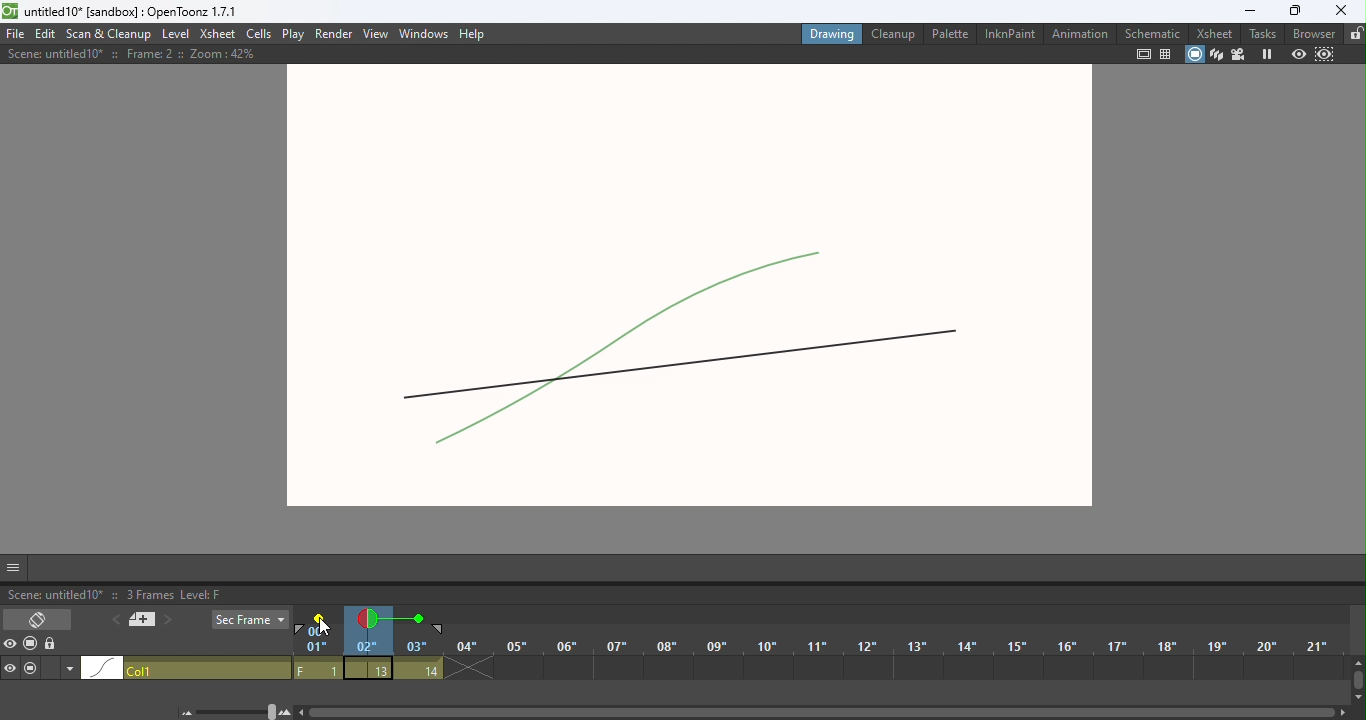  I want to click on Tasks, so click(1261, 33).